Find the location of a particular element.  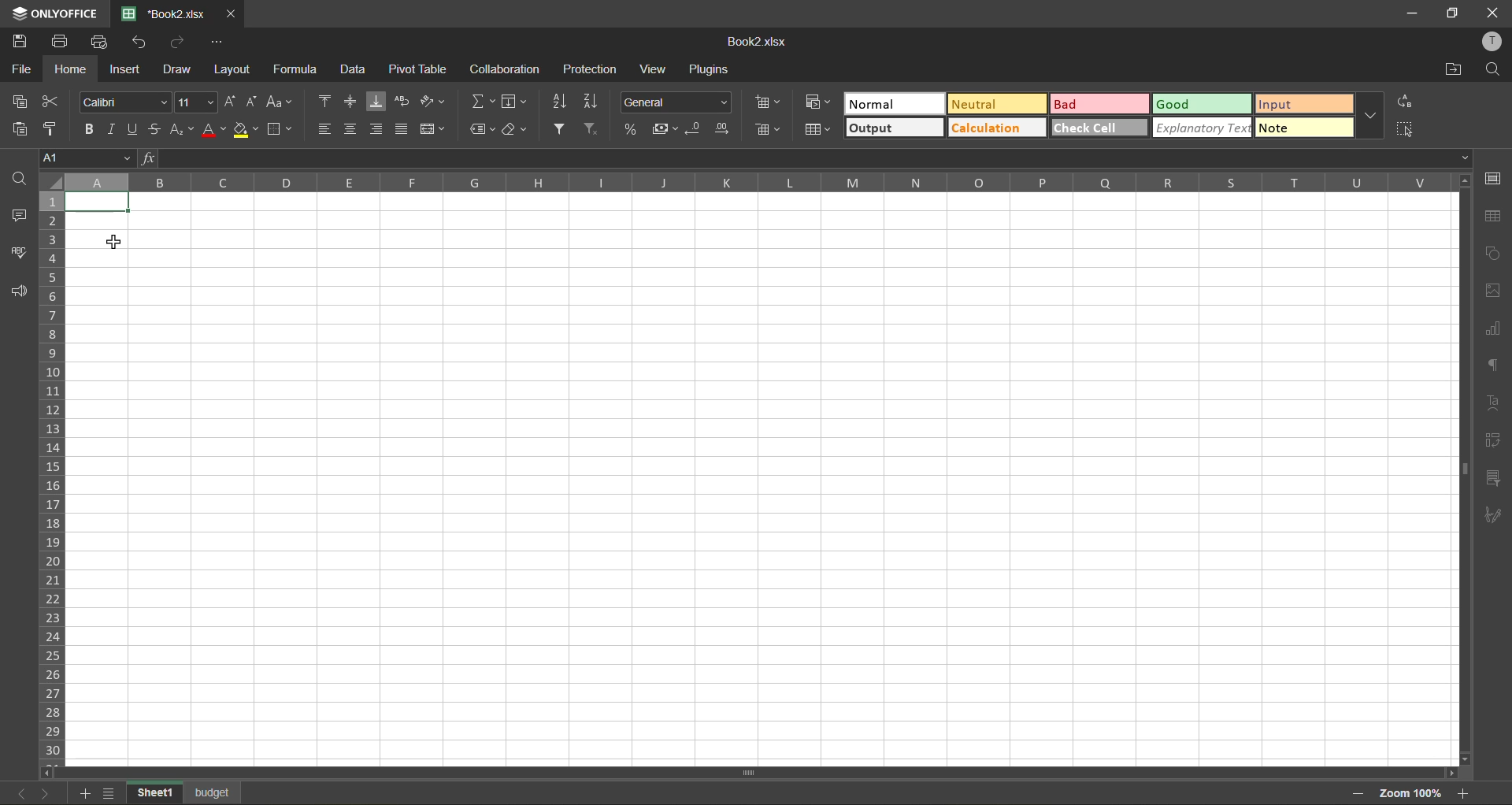

conditional formatting  is located at coordinates (818, 101).